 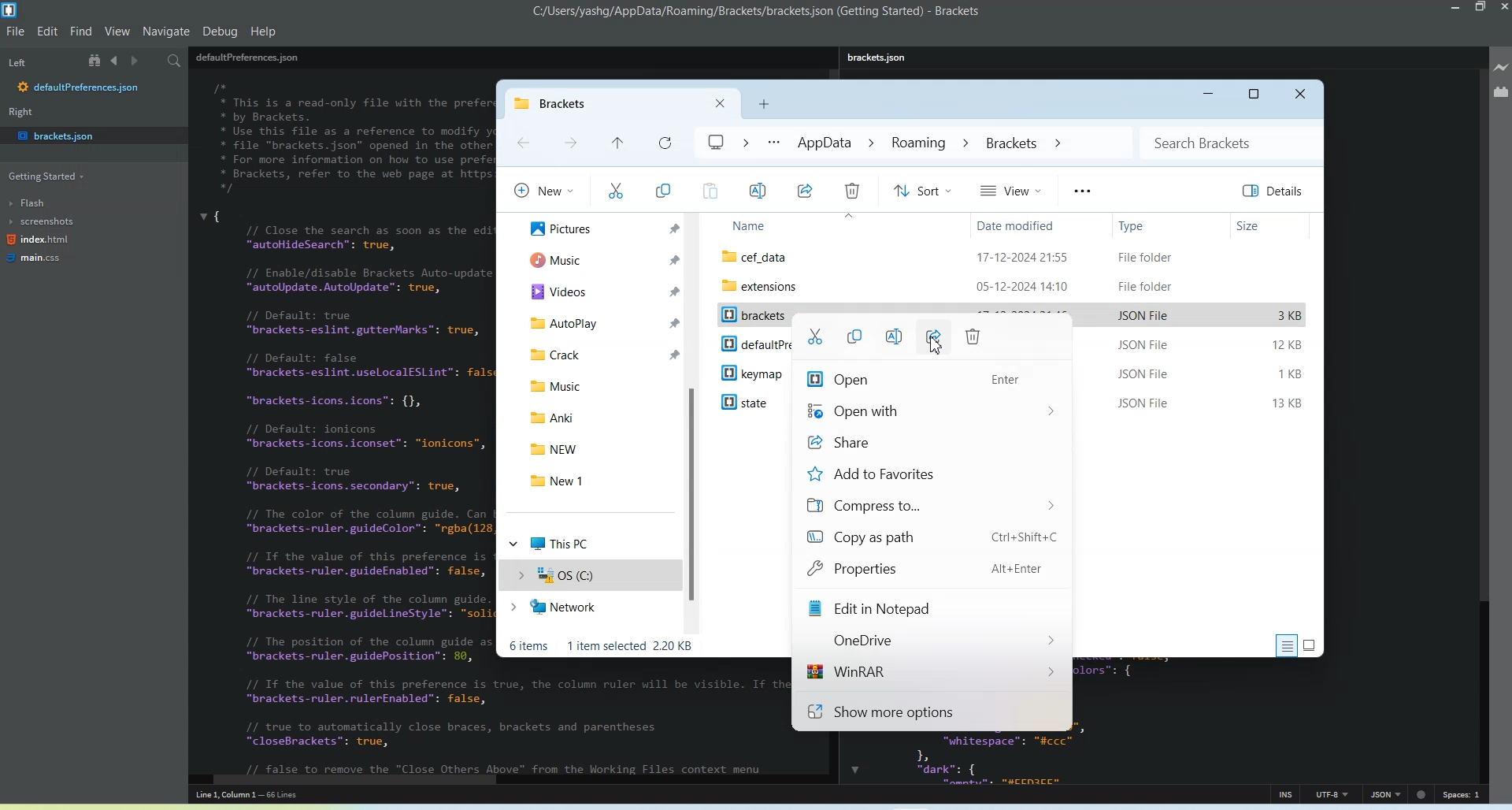 What do you see at coordinates (1168, 225) in the screenshot?
I see `Type` at bounding box center [1168, 225].